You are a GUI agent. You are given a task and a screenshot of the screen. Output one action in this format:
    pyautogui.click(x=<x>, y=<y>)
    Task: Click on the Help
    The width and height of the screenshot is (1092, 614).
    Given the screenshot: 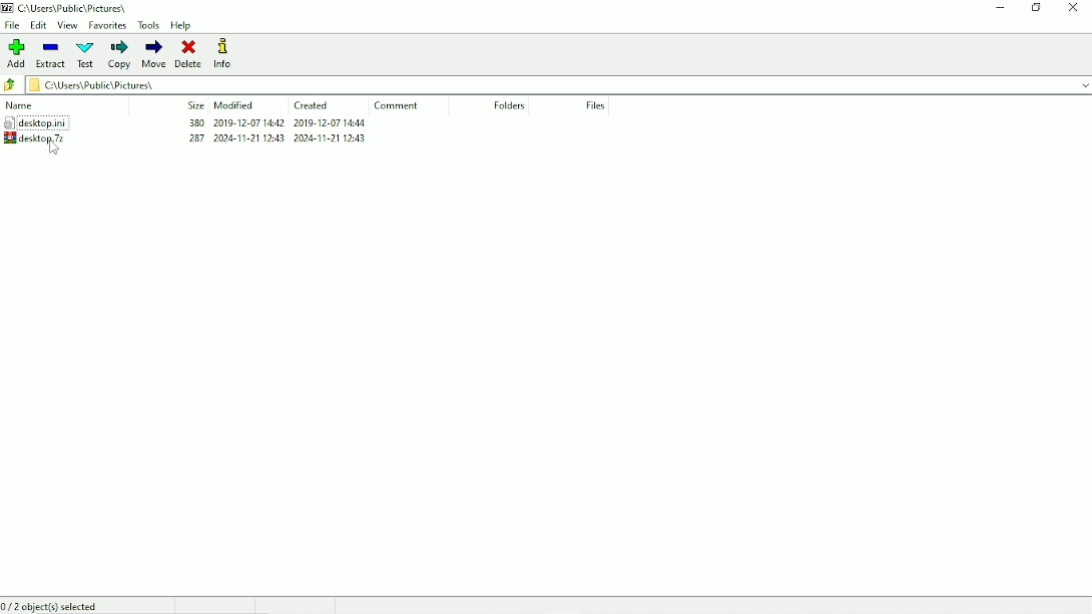 What is the action you would take?
    pyautogui.click(x=182, y=25)
    